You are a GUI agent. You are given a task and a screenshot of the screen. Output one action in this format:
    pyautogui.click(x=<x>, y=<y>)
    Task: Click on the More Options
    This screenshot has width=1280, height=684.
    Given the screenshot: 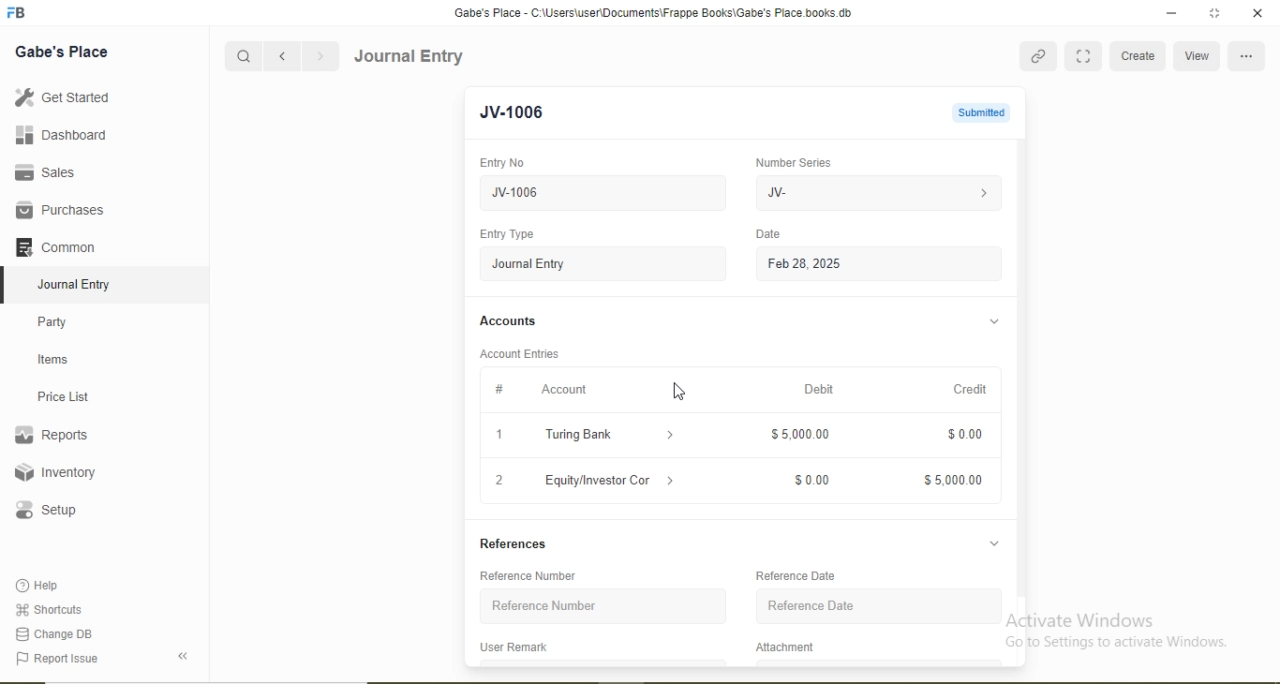 What is the action you would take?
    pyautogui.click(x=1249, y=56)
    